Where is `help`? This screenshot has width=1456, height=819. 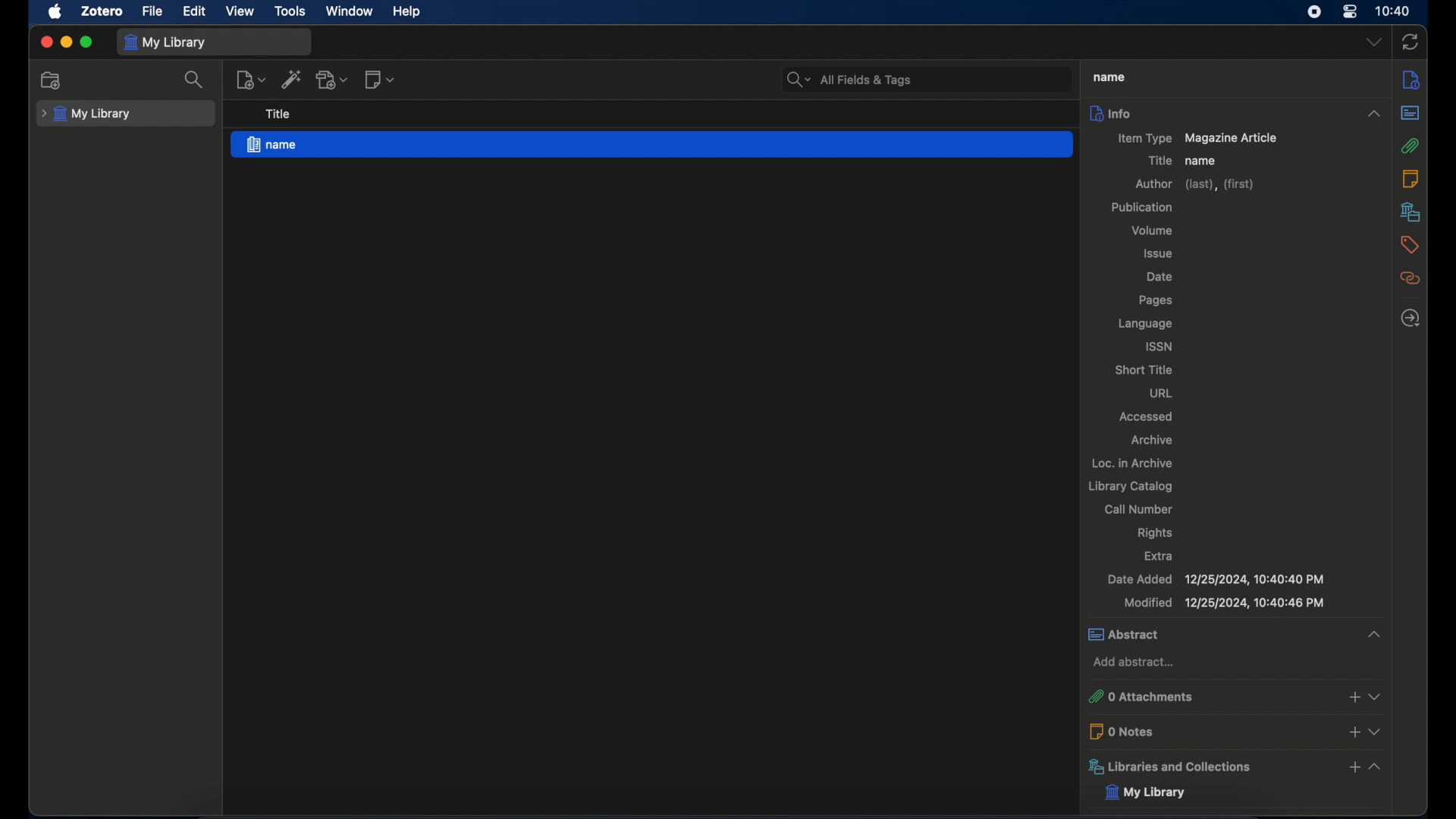
help is located at coordinates (406, 12).